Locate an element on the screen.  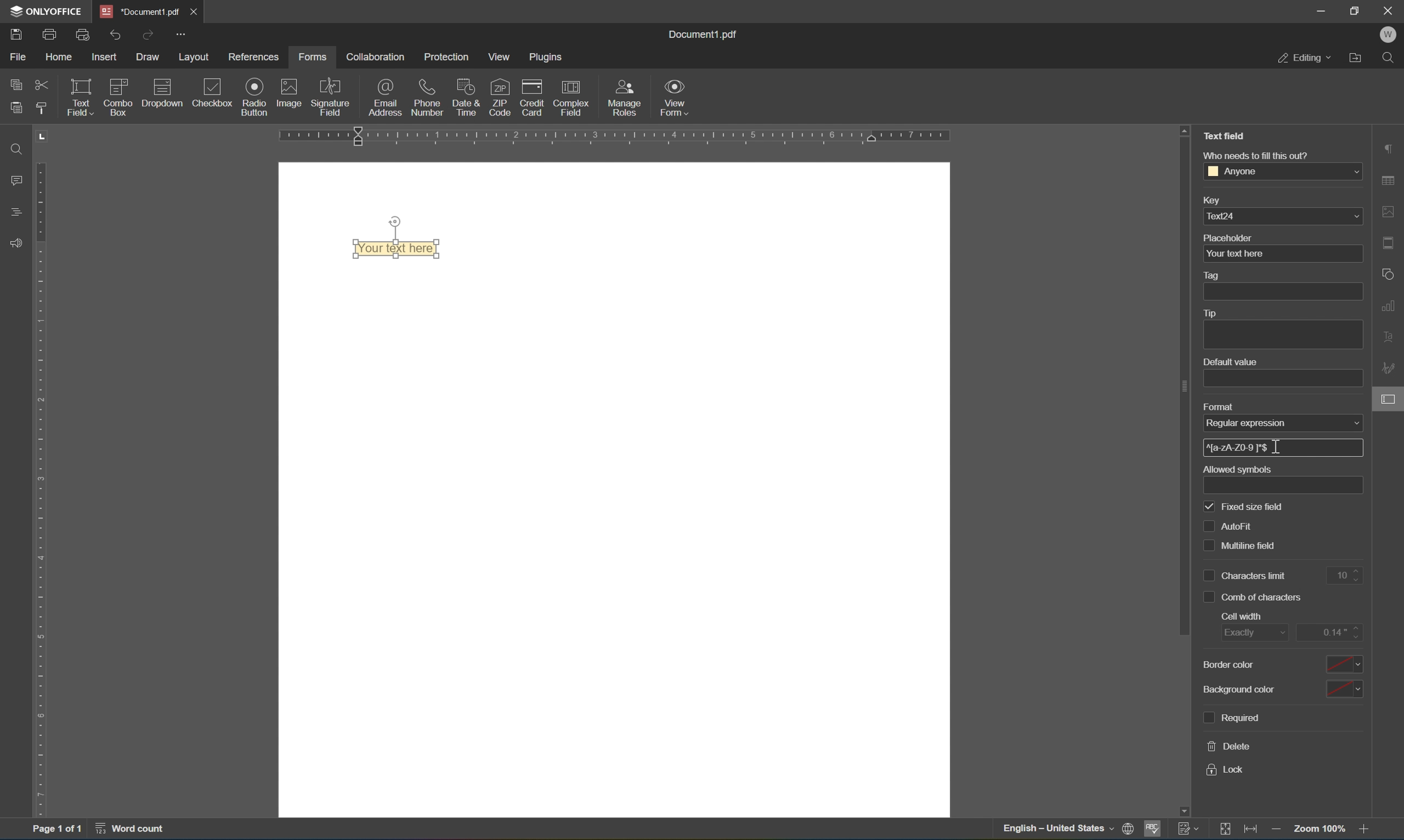
border color is located at coordinates (1227, 664).